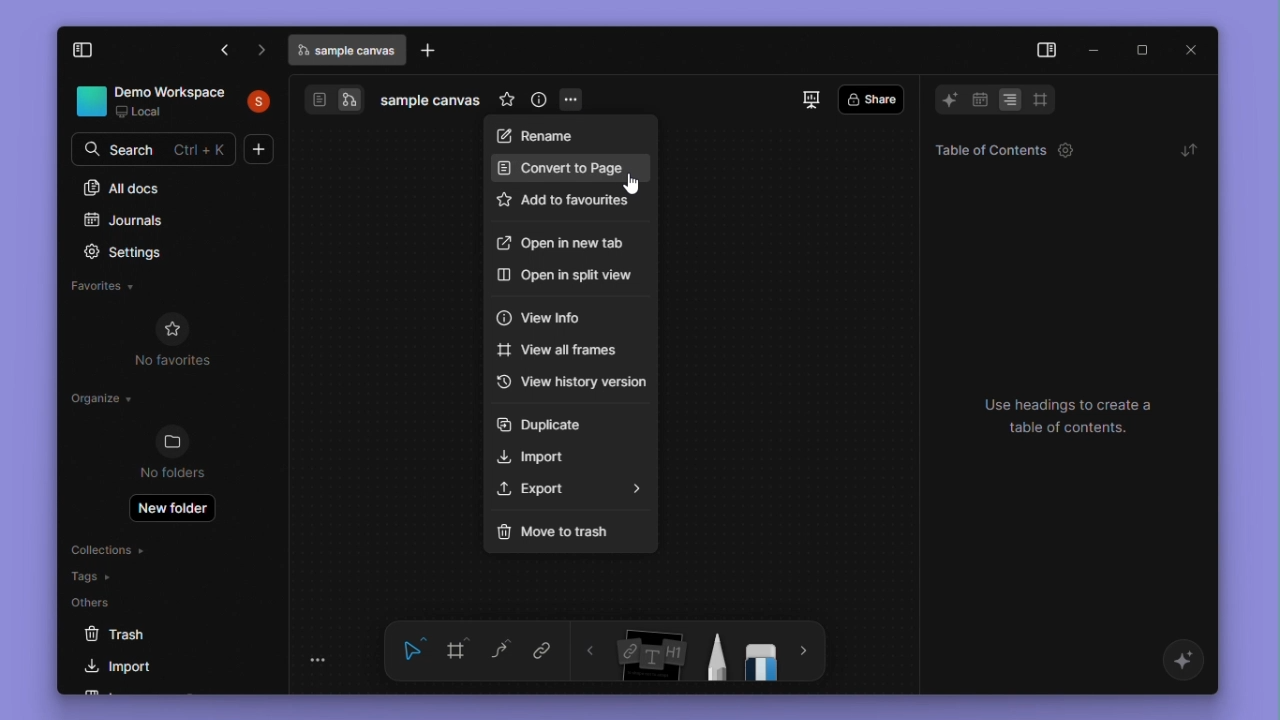 The image size is (1280, 720). I want to click on notes, so click(652, 655).